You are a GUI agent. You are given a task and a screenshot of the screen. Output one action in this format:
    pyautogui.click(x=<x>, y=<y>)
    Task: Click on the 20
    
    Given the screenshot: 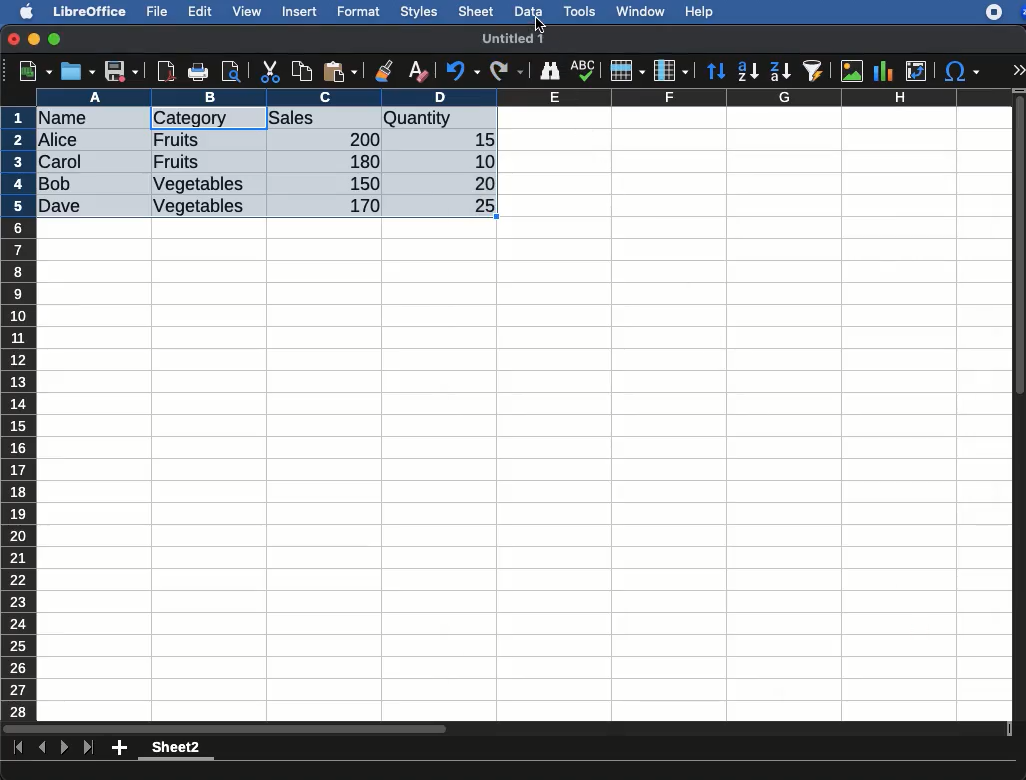 What is the action you would take?
    pyautogui.click(x=477, y=183)
    